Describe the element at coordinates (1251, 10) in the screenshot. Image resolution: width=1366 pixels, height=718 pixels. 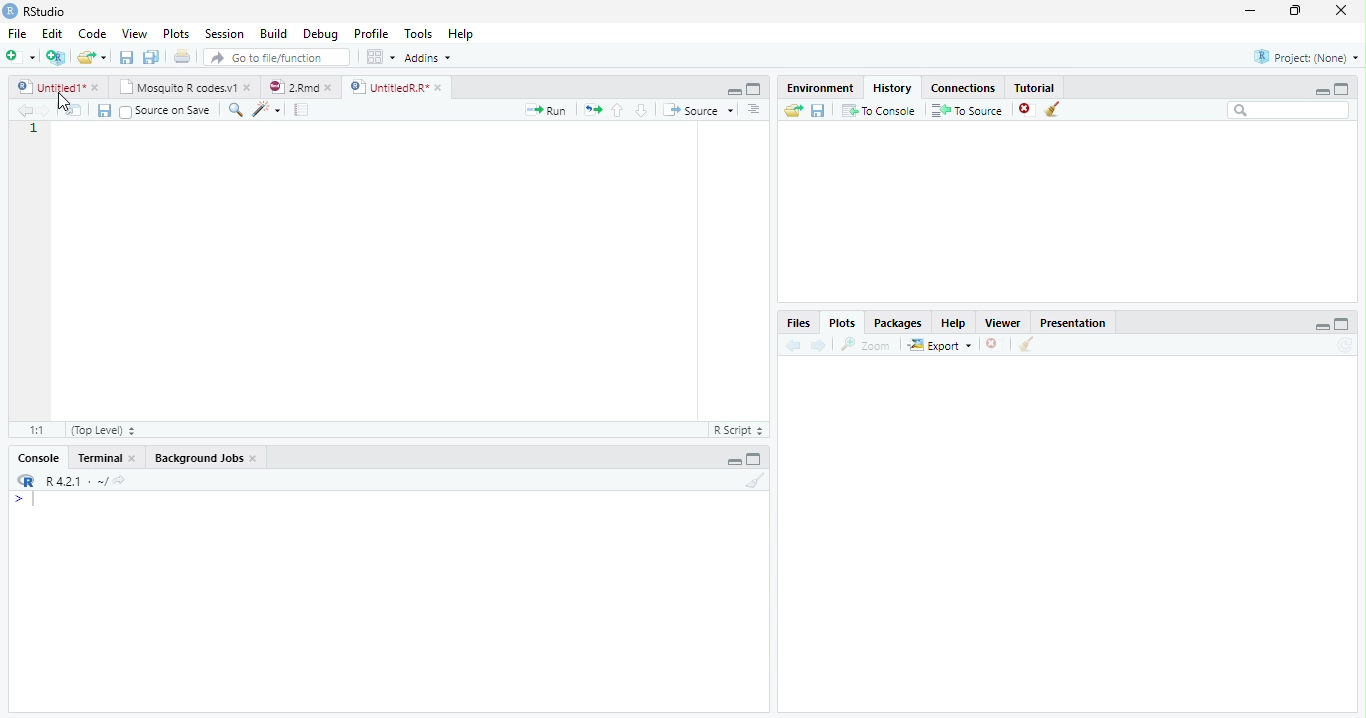
I see `minimize` at that location.